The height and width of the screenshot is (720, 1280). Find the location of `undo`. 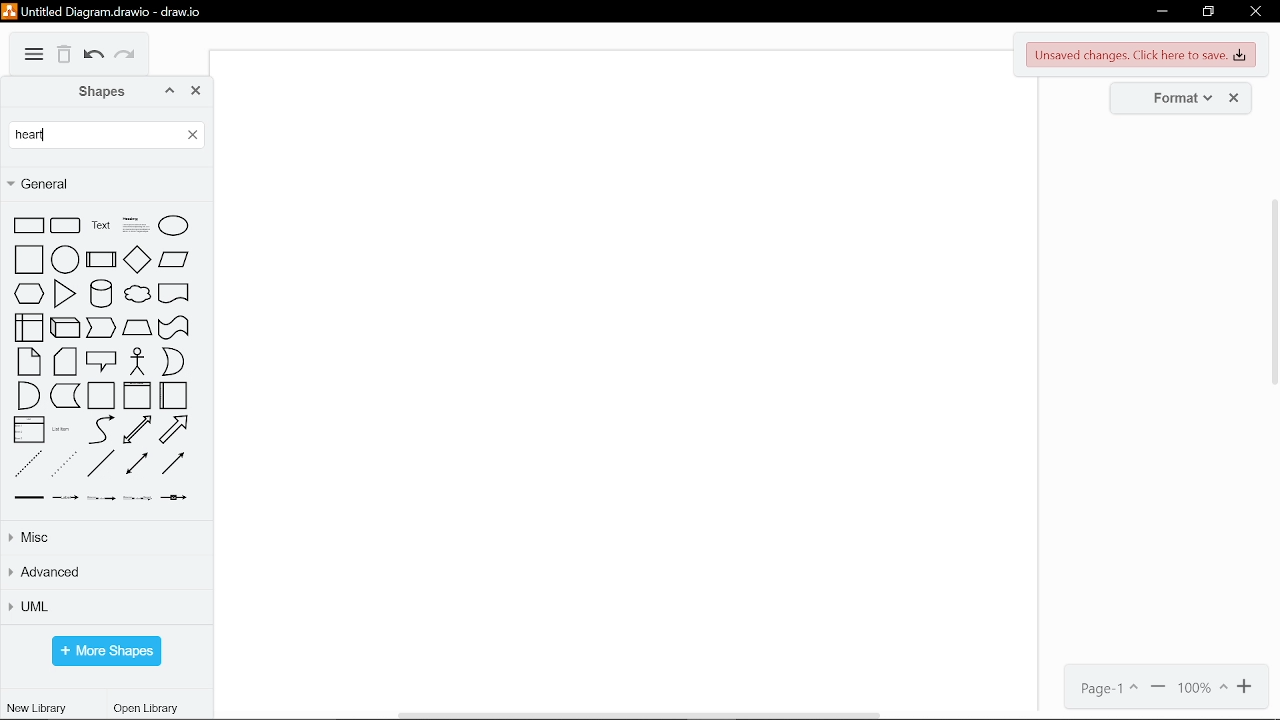

undo is located at coordinates (94, 57).